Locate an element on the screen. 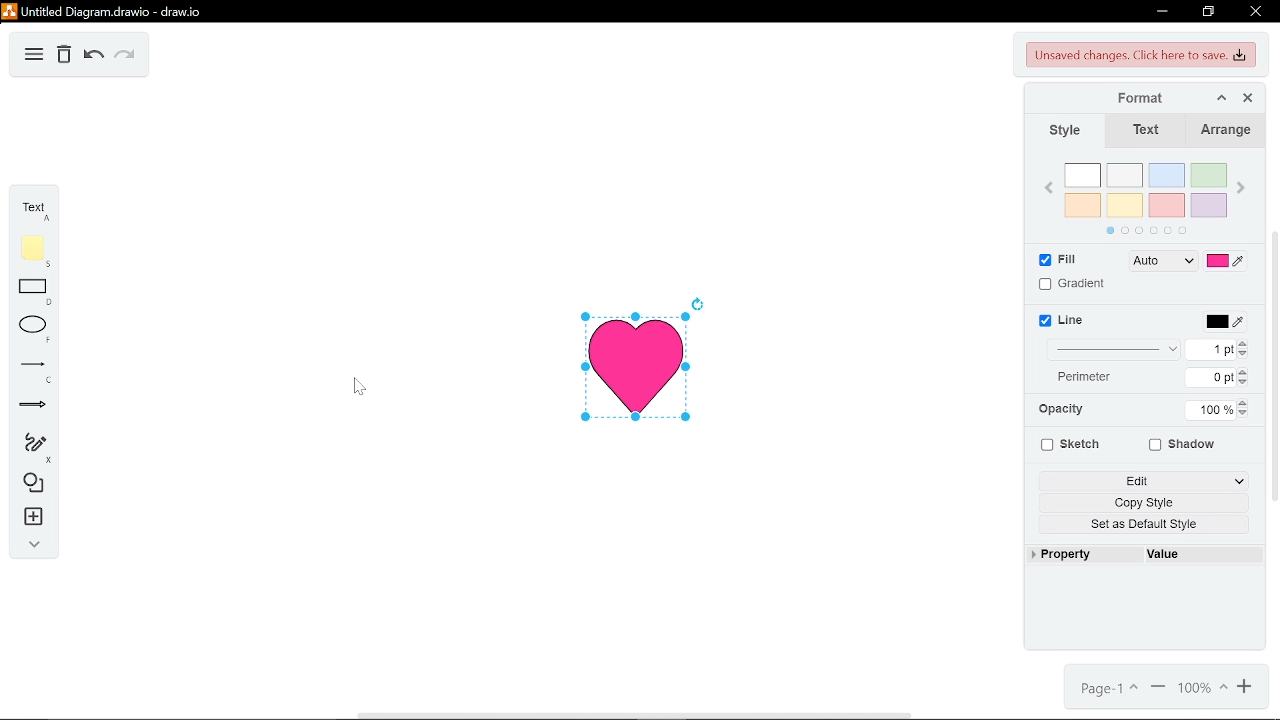 Image resolution: width=1280 pixels, height=720 pixels. note is located at coordinates (32, 251).